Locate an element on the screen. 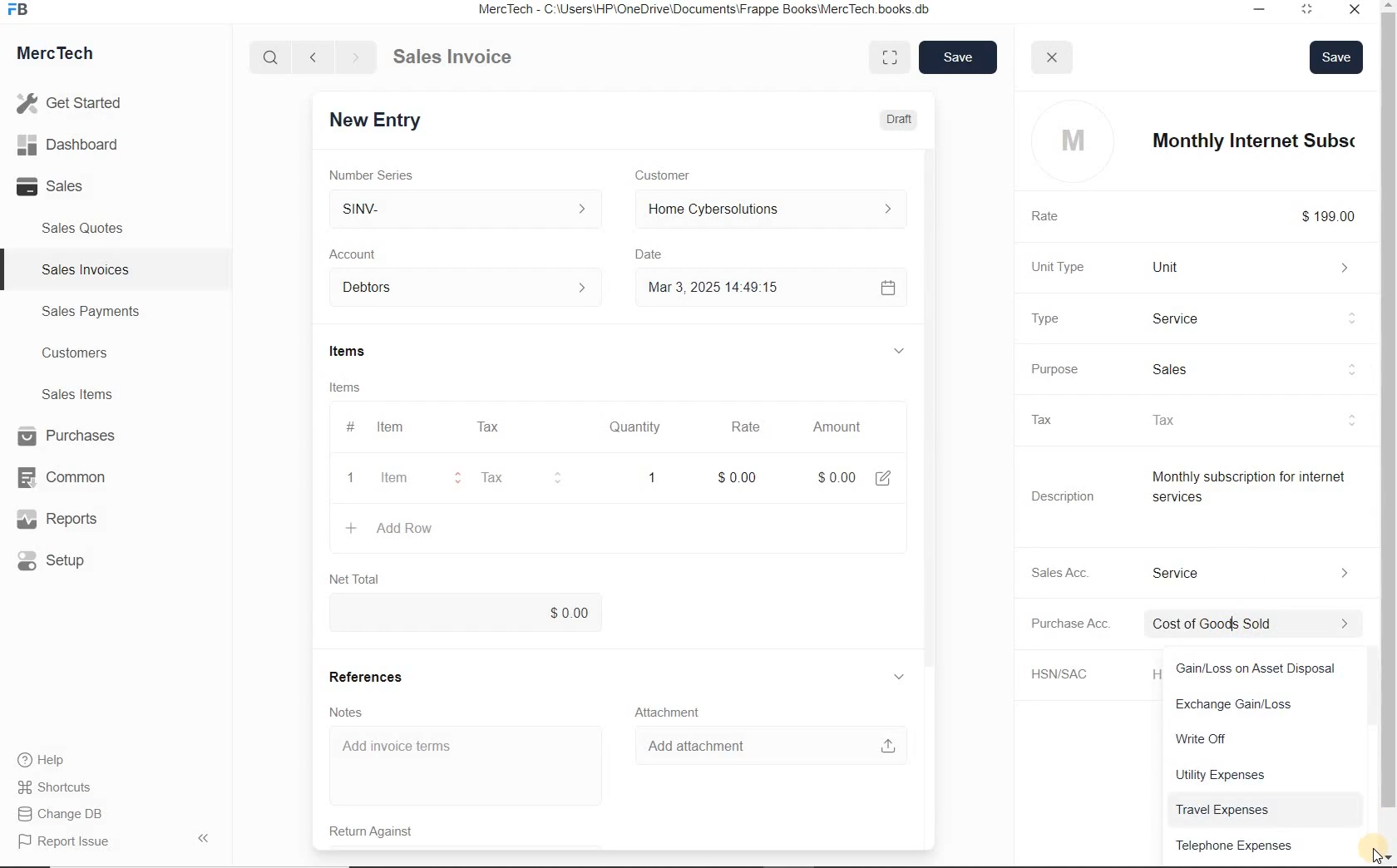 Image resolution: width=1397 pixels, height=868 pixels. $199 is located at coordinates (1340, 216).